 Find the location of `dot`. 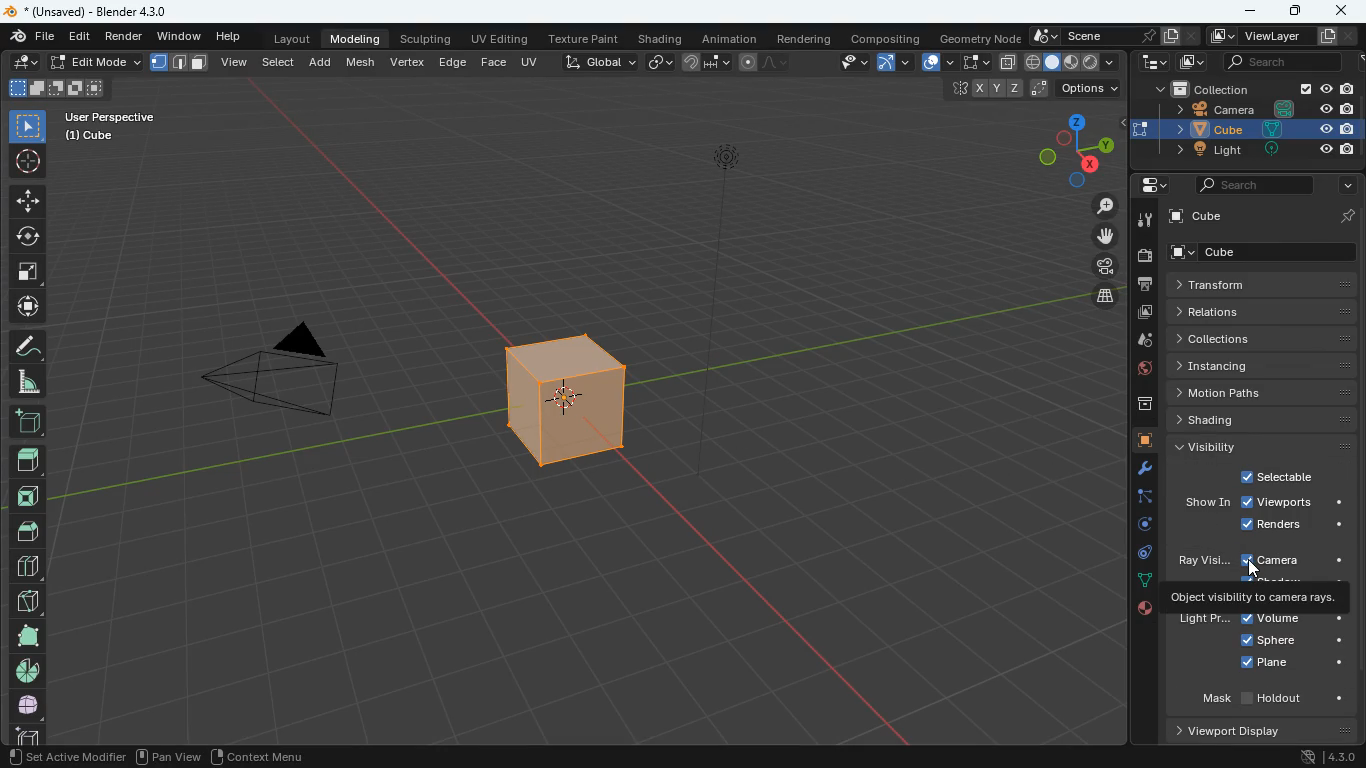

dot is located at coordinates (1144, 583).